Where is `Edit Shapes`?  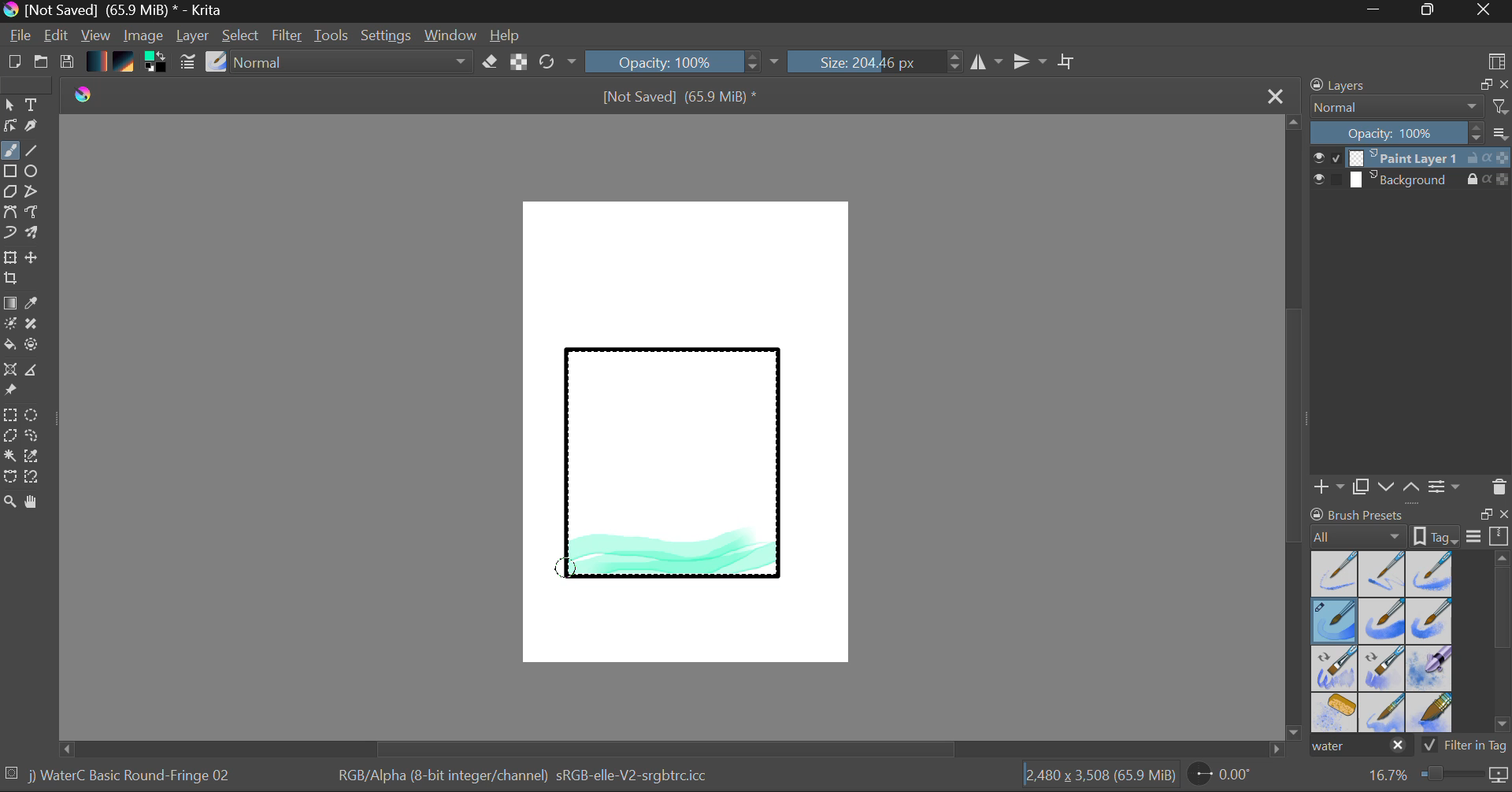
Edit Shapes is located at coordinates (9, 128).